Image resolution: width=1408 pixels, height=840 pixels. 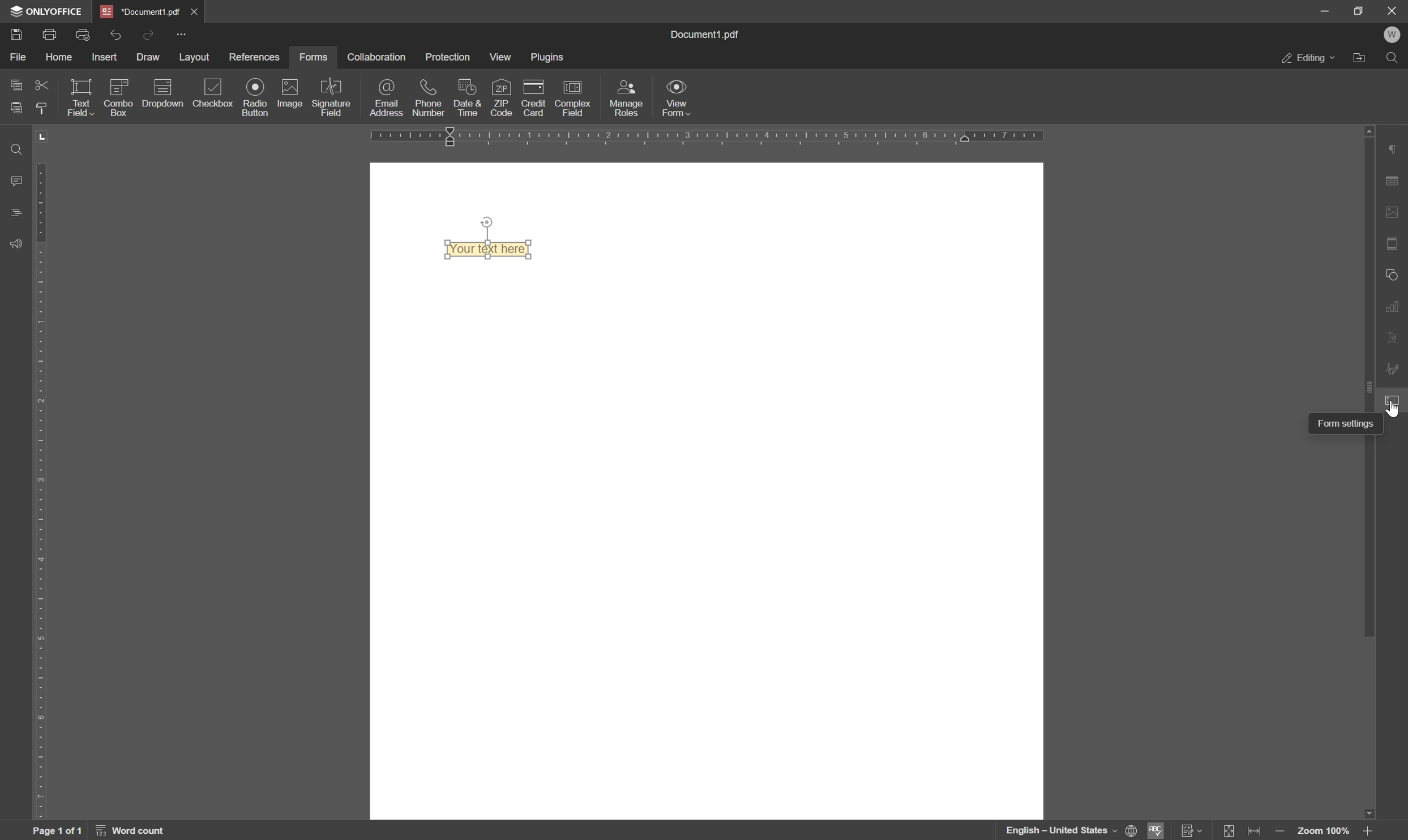 What do you see at coordinates (139, 10) in the screenshot?
I see `*document1.pdf` at bounding box center [139, 10].